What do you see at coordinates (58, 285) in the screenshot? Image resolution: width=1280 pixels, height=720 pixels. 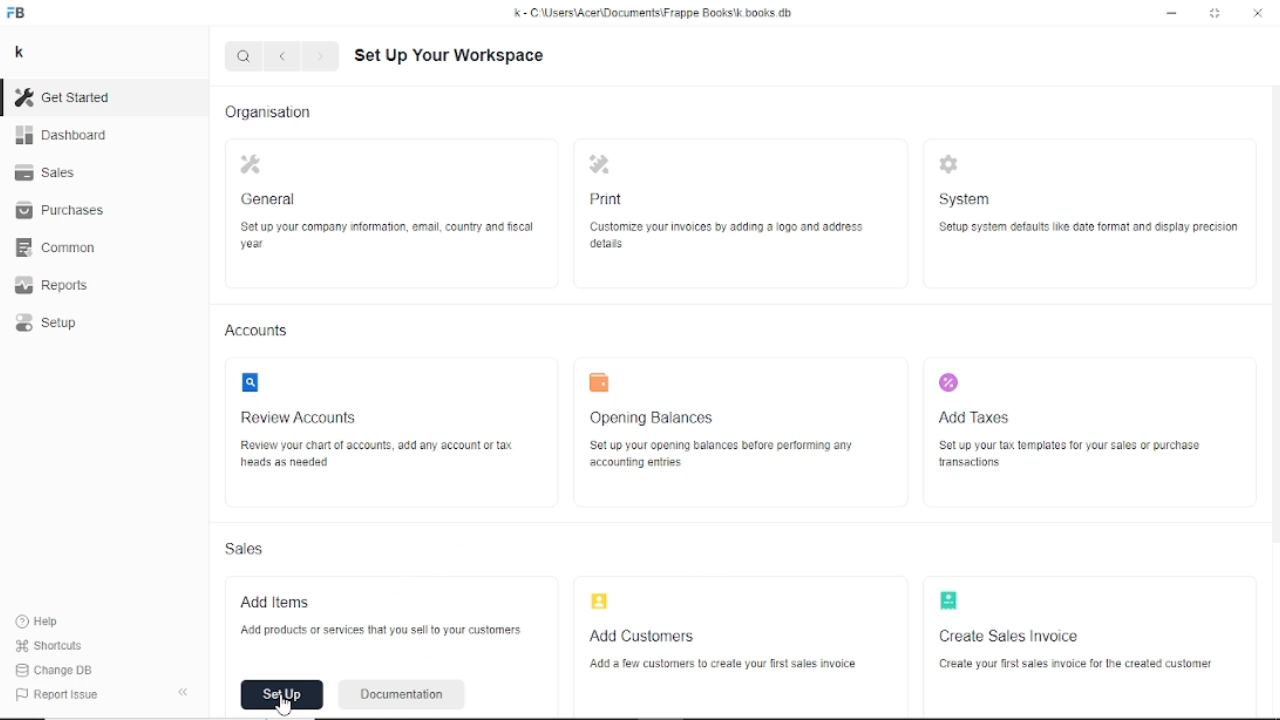 I see `Reports` at bounding box center [58, 285].